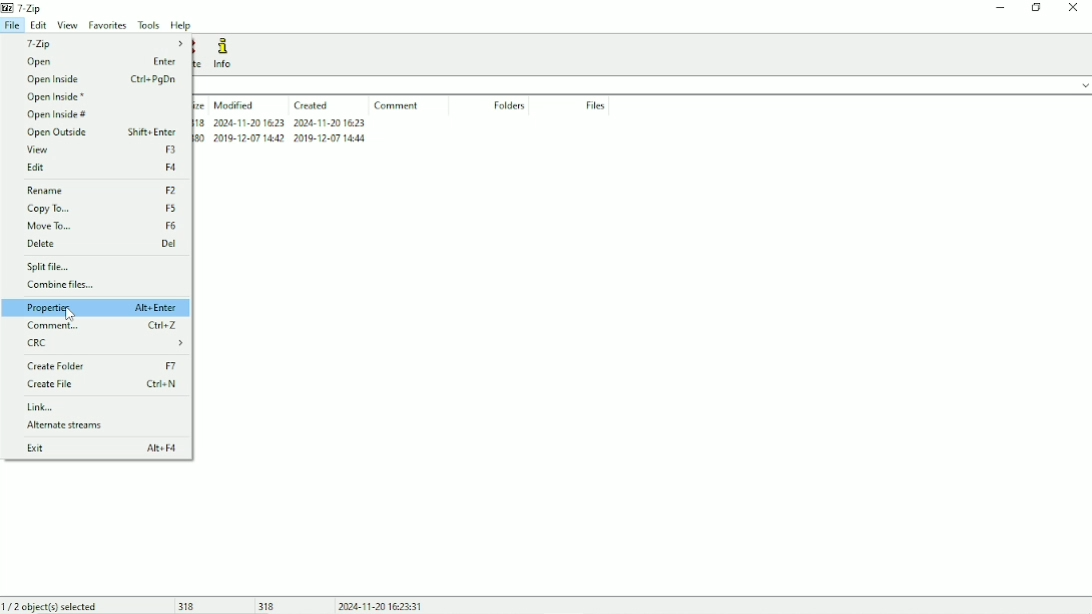 This screenshot has width=1092, height=614. What do you see at coordinates (73, 314) in the screenshot?
I see `cursor` at bounding box center [73, 314].